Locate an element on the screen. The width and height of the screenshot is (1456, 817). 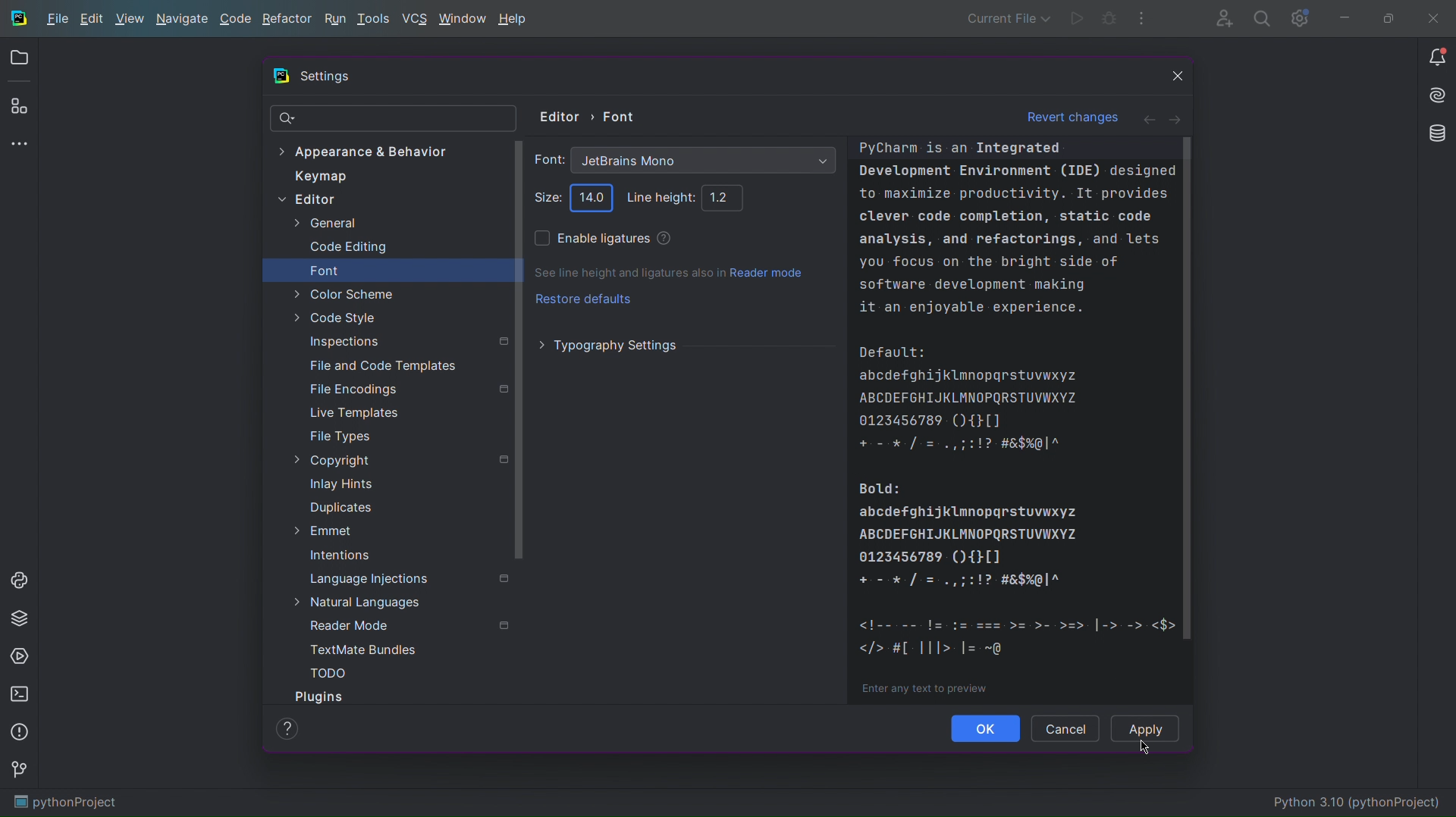
Keymap is located at coordinates (321, 177).